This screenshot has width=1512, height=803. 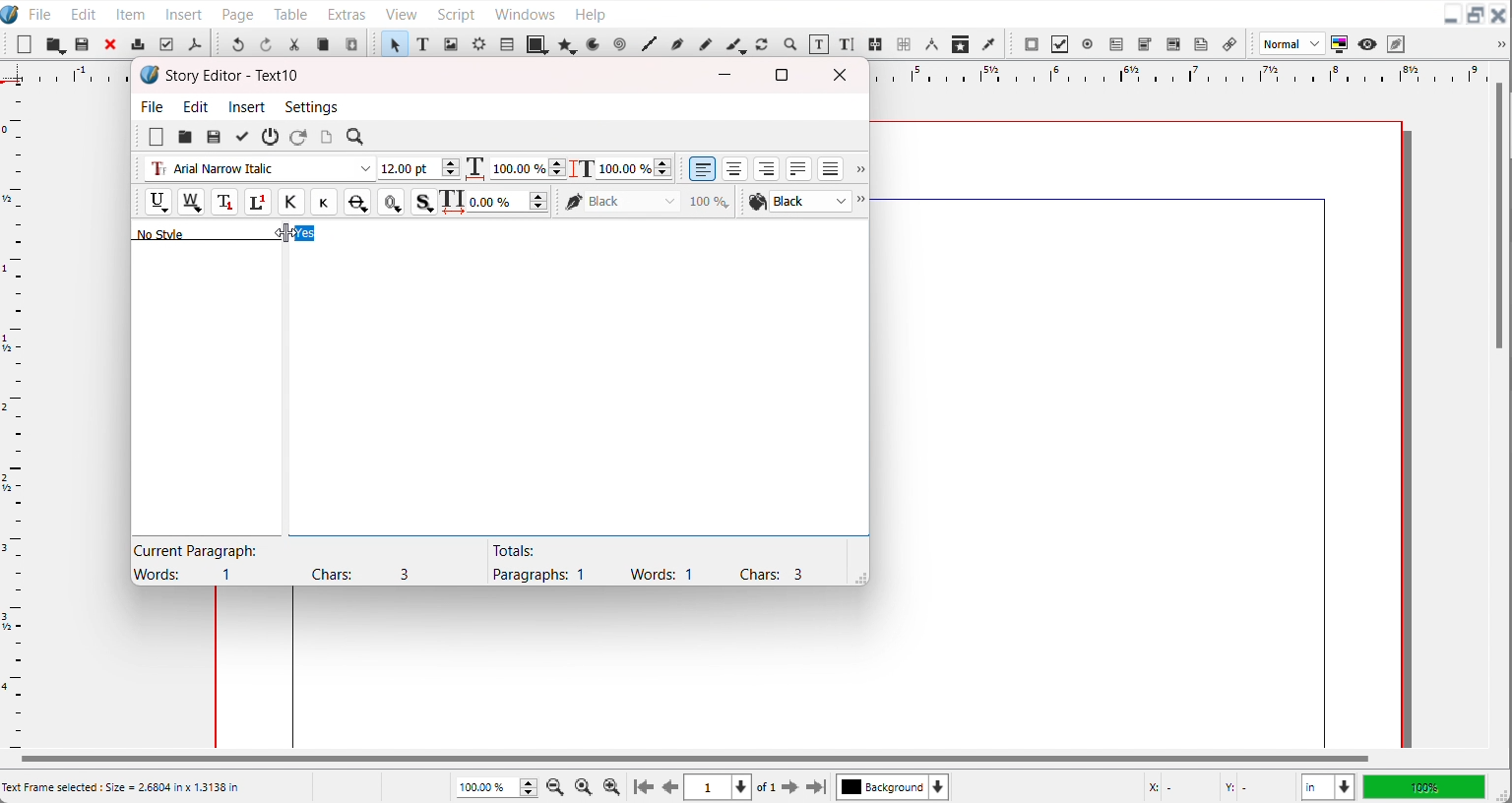 What do you see at coordinates (286, 233) in the screenshot?
I see `Cursor` at bounding box center [286, 233].